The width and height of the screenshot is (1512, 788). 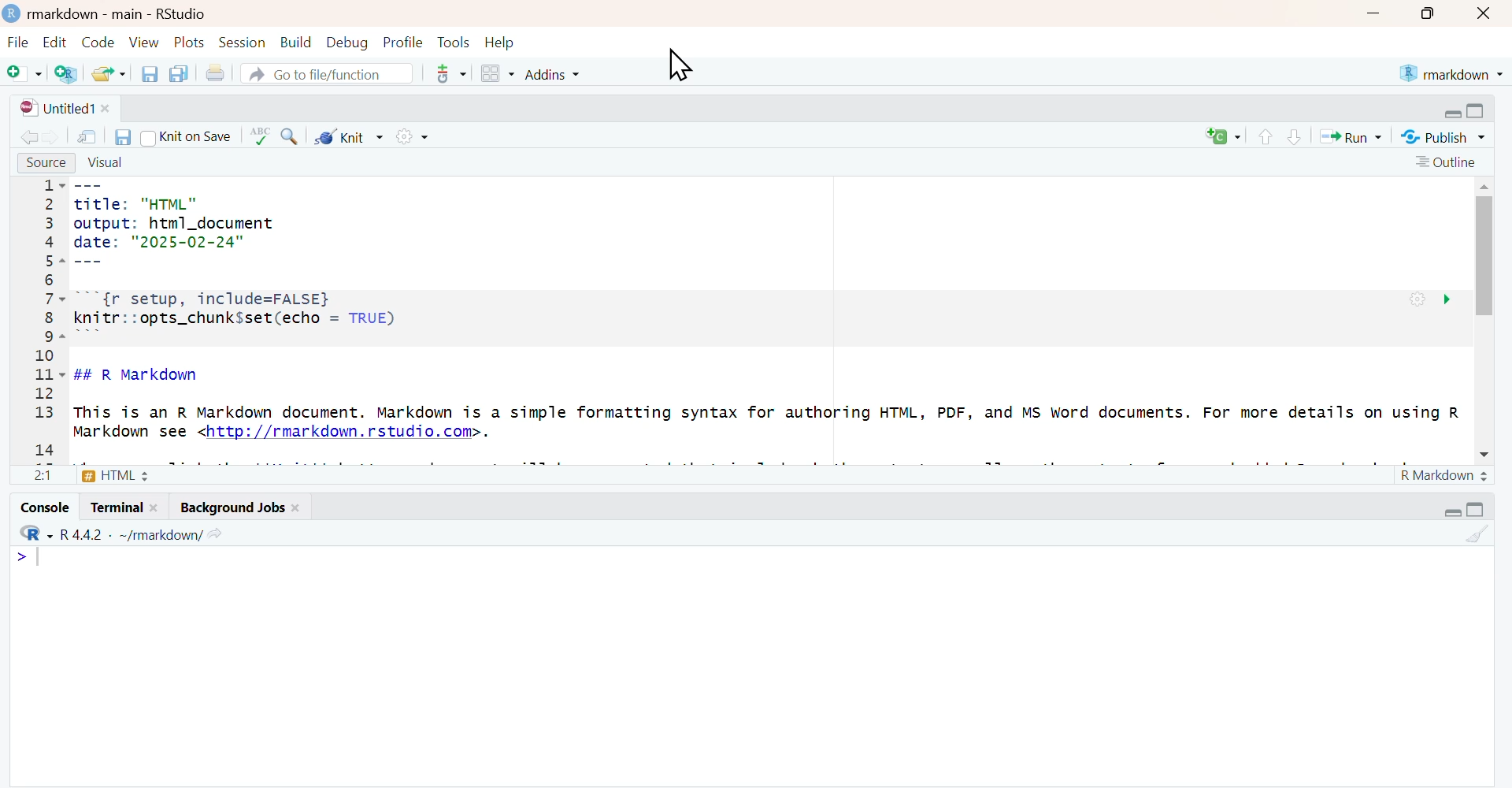 I want to click on Session, so click(x=243, y=43).